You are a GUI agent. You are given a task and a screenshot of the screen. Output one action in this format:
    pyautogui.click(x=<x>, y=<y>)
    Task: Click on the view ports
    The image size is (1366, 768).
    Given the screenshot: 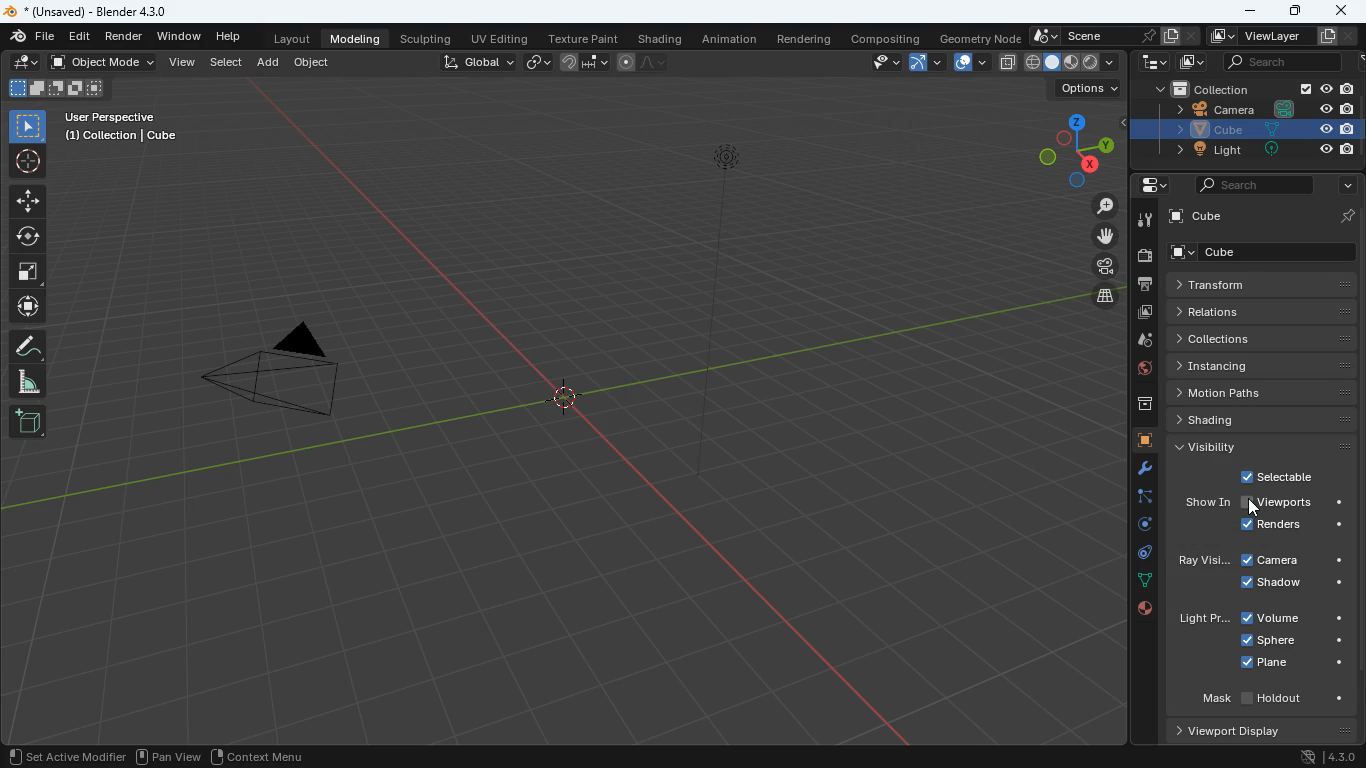 What is the action you would take?
    pyautogui.click(x=1284, y=504)
    